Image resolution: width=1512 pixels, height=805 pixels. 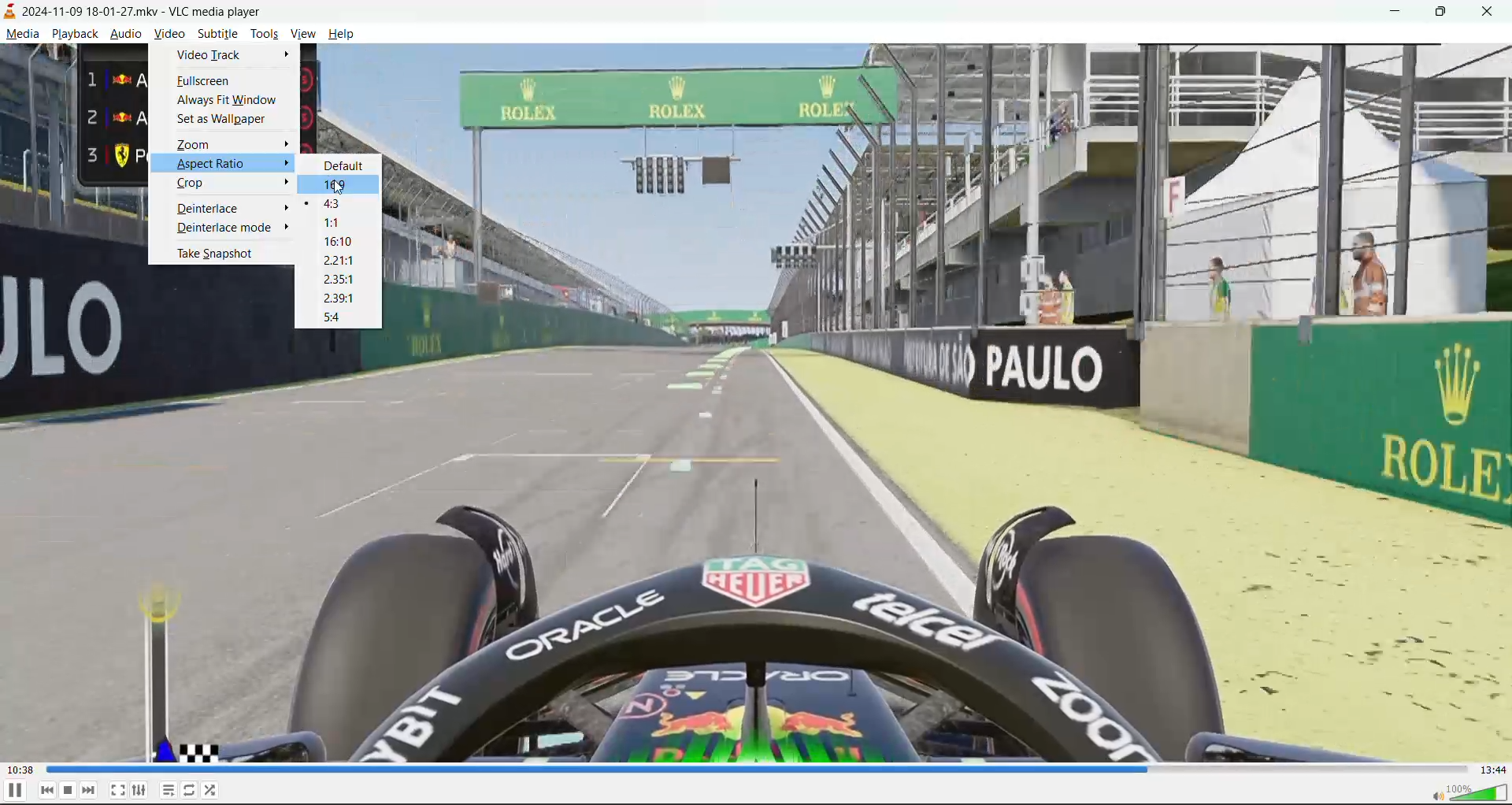 What do you see at coordinates (337, 317) in the screenshot?
I see `5:4` at bounding box center [337, 317].